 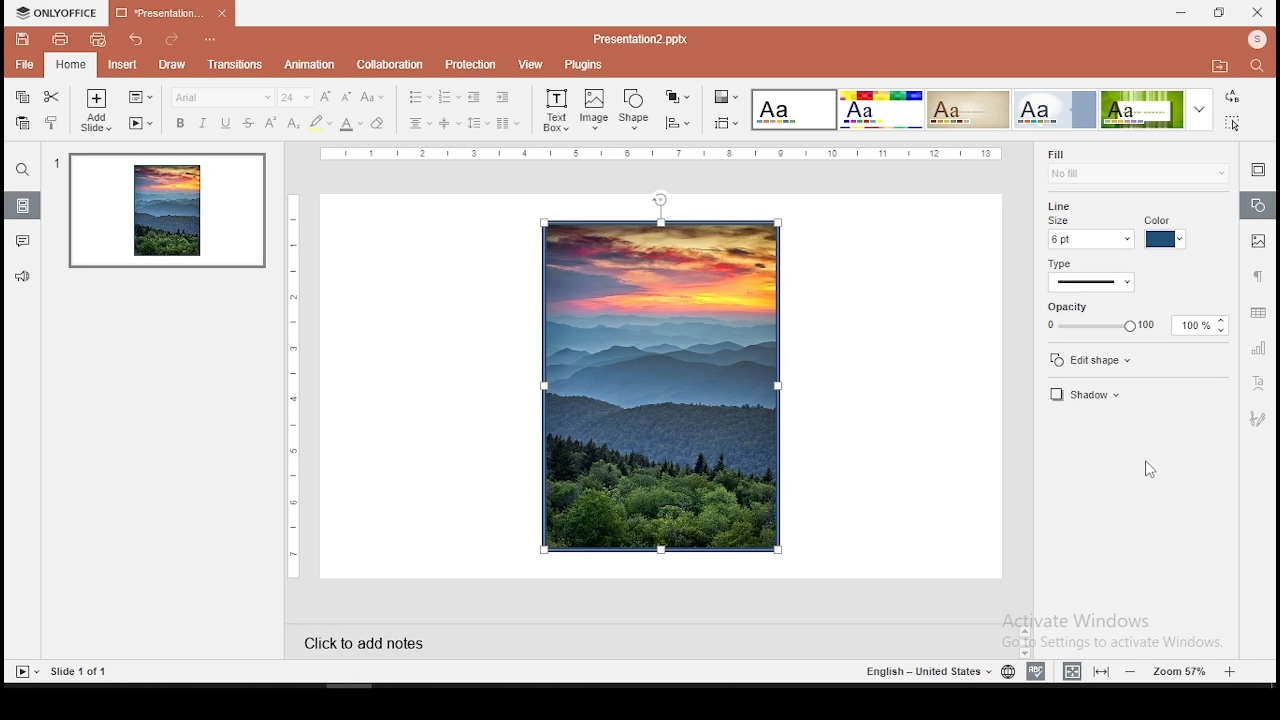 What do you see at coordinates (100, 40) in the screenshot?
I see `quick print` at bounding box center [100, 40].